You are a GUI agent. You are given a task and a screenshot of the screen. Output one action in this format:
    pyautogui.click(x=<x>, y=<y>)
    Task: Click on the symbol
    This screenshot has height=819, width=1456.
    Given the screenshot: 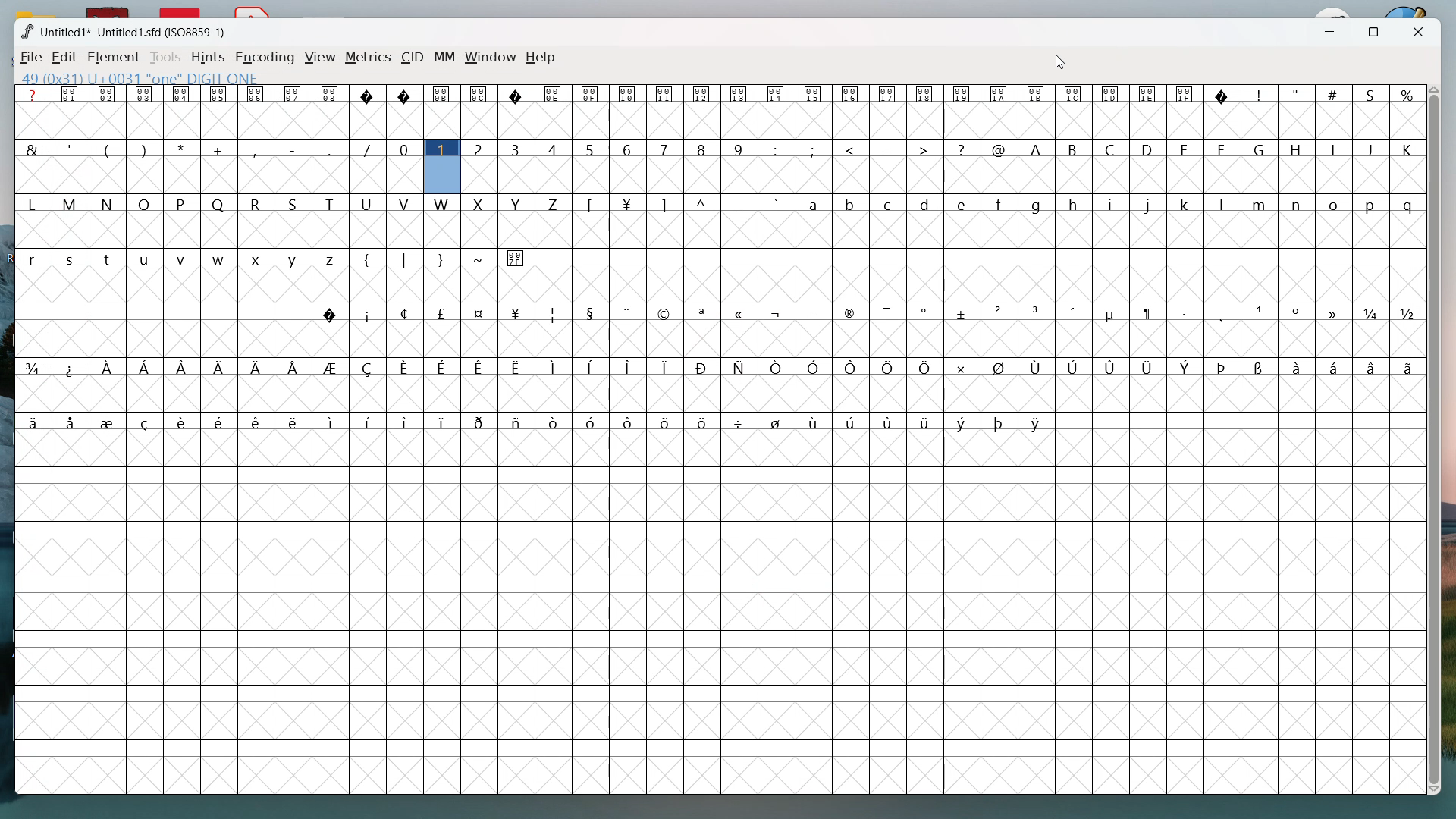 What is the action you would take?
    pyautogui.click(x=1409, y=367)
    